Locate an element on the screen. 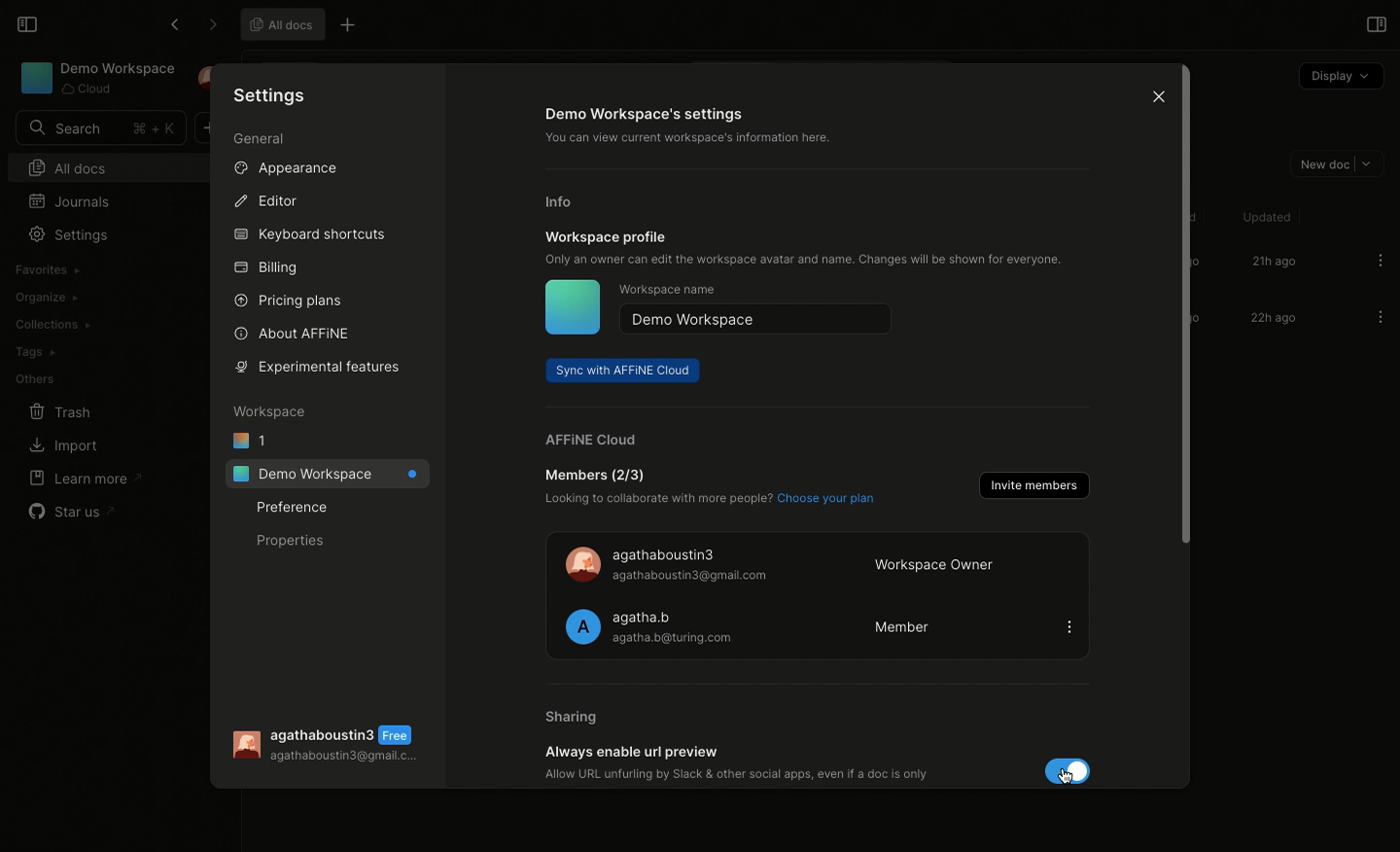 This screenshot has height=852, width=1400. All docs is located at coordinates (279, 23).